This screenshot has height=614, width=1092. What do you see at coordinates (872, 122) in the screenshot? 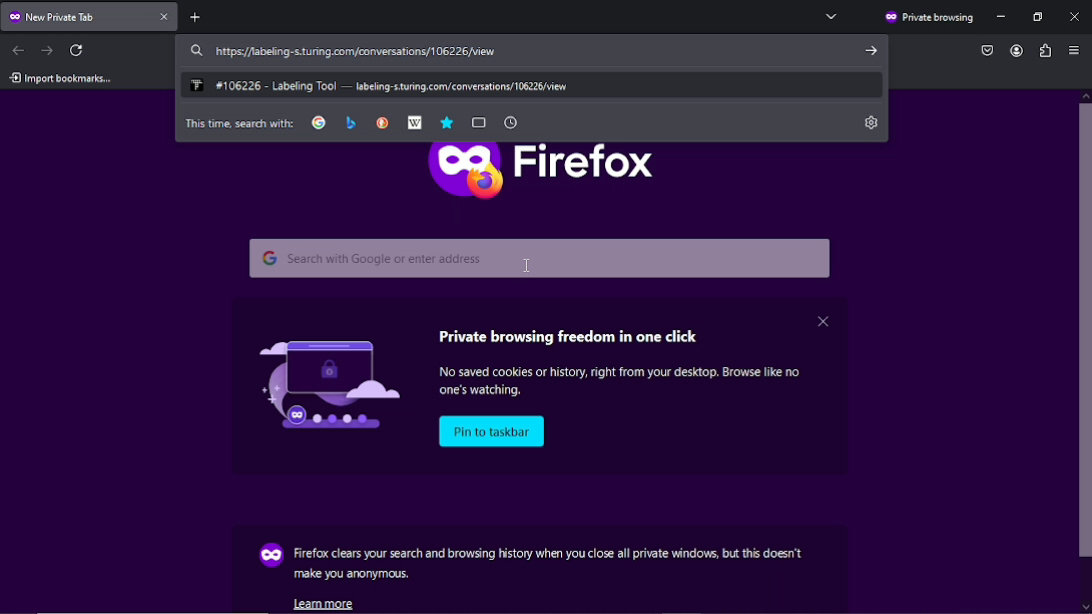
I see `change search settings` at bounding box center [872, 122].